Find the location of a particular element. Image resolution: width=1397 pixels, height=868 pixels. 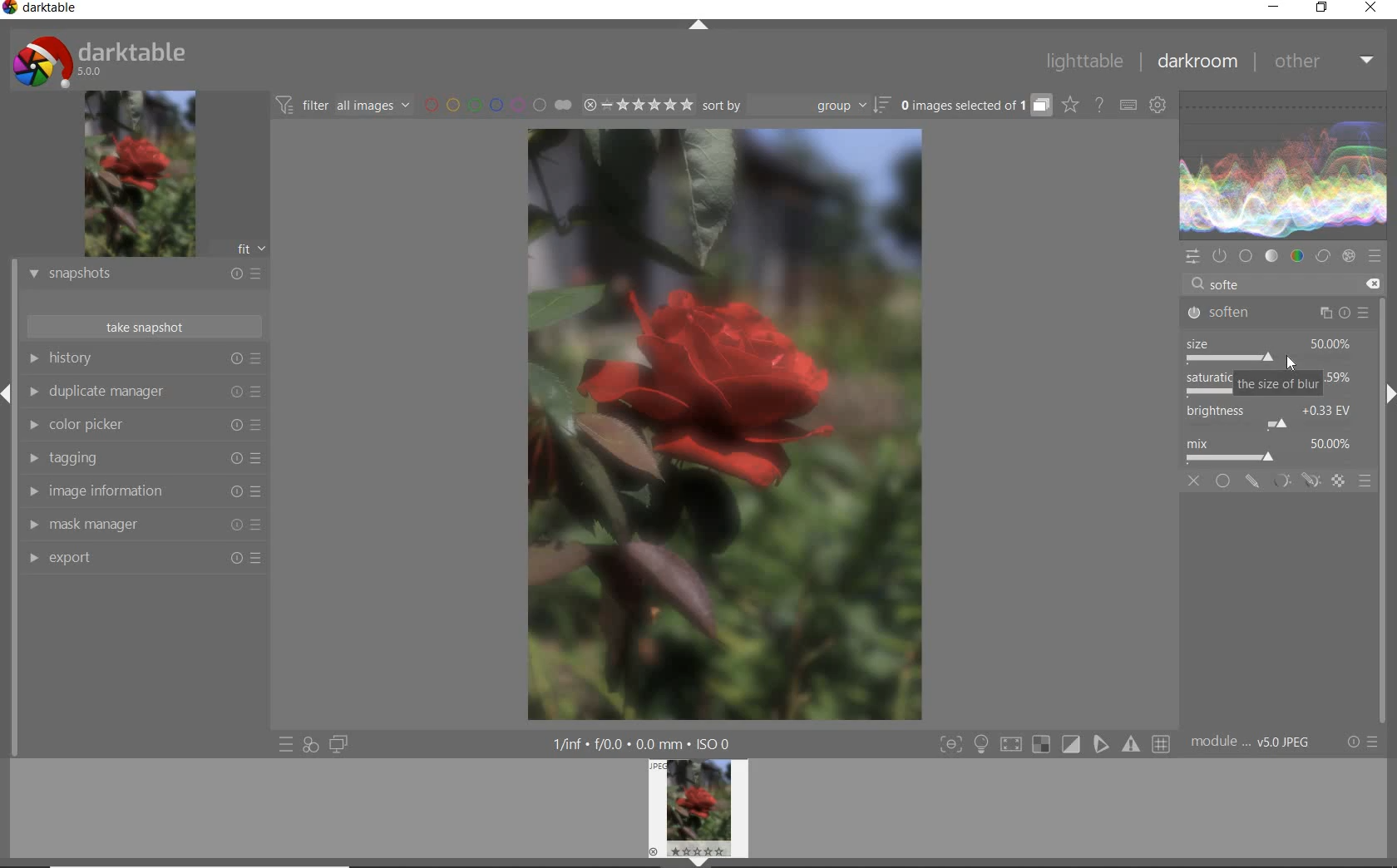

grouped images is located at coordinates (974, 106).